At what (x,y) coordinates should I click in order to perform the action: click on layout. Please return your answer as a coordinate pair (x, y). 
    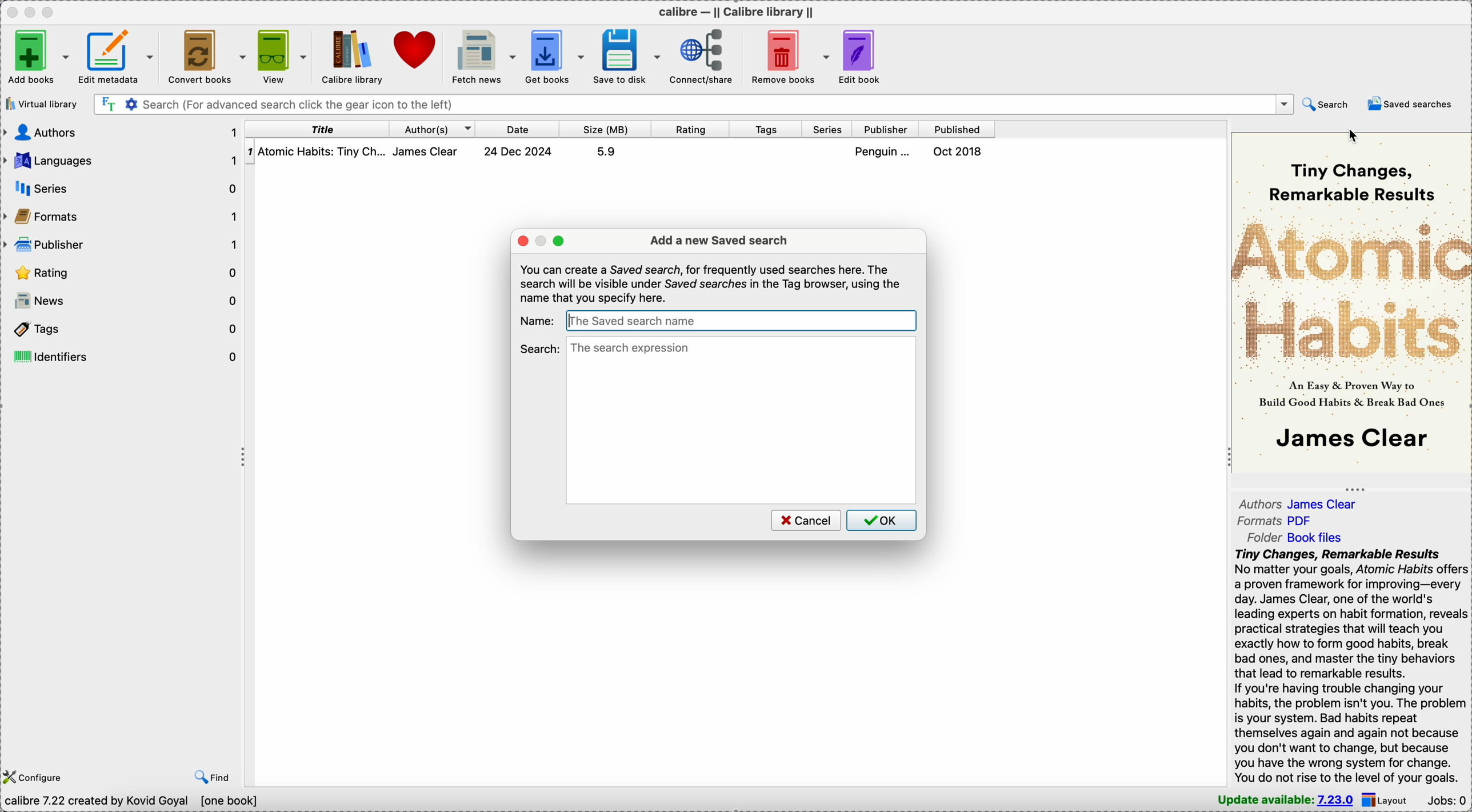
    Looking at the image, I should click on (1389, 799).